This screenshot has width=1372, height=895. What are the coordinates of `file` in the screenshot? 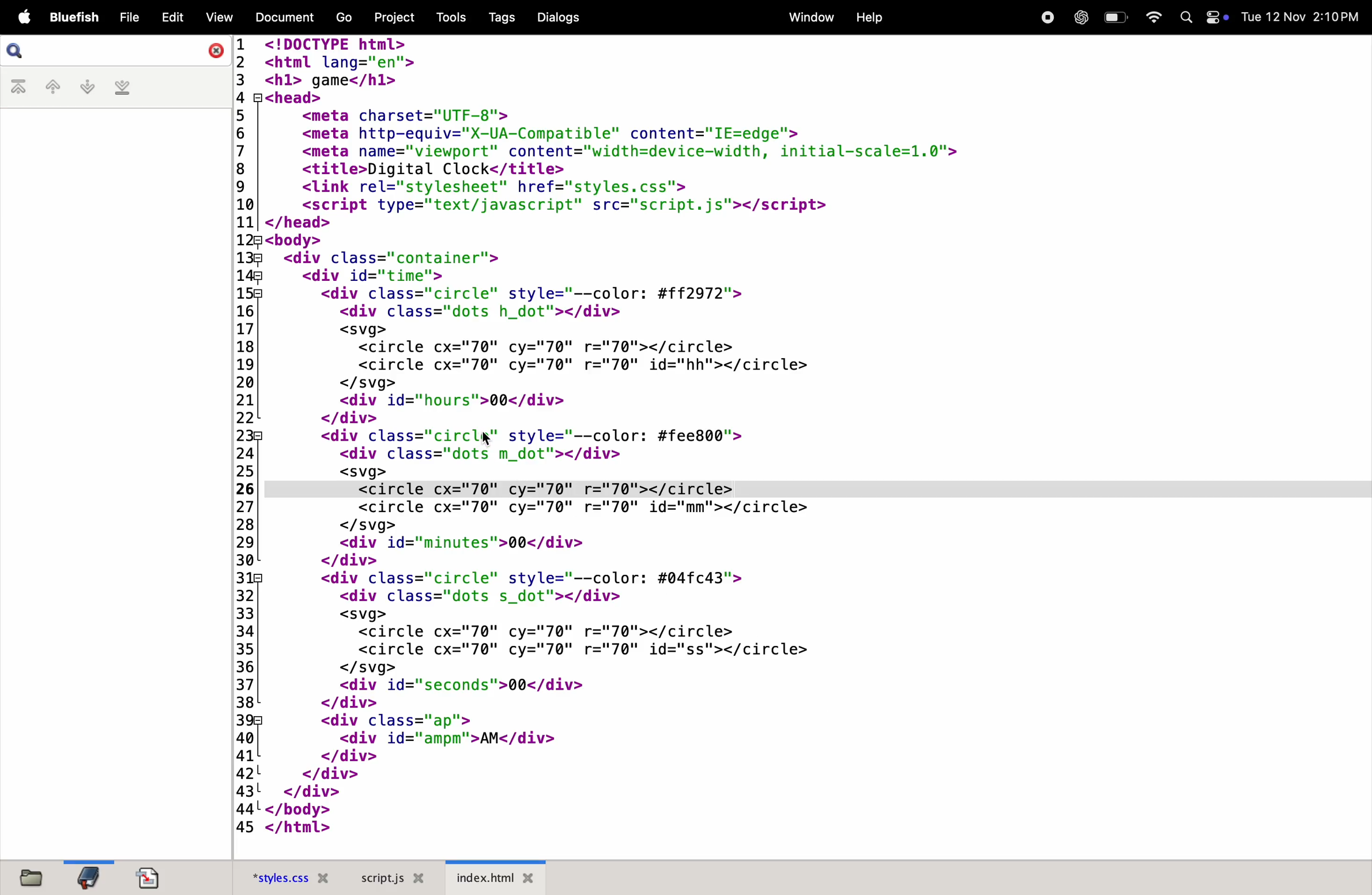 It's located at (128, 17).